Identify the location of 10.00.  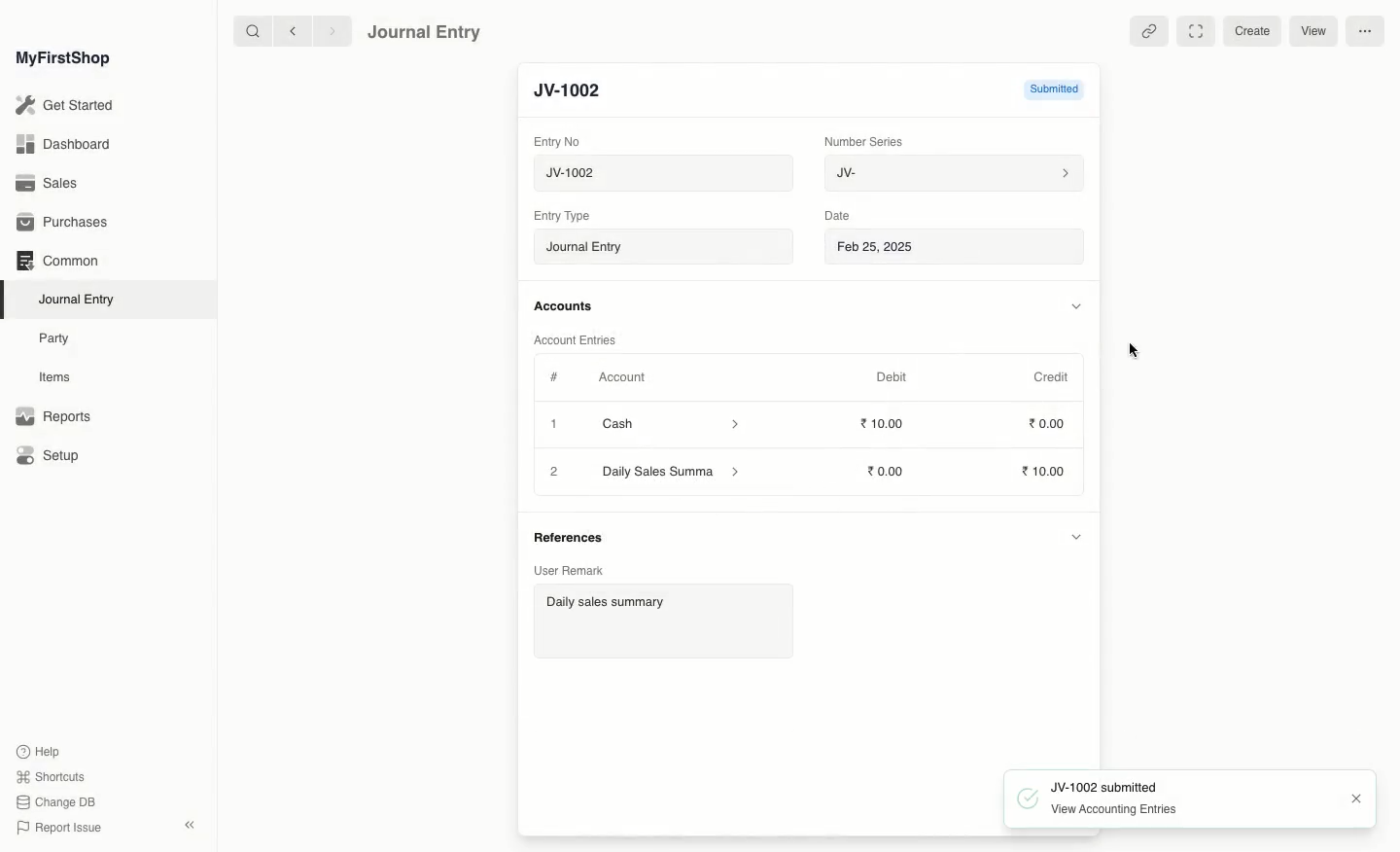
(888, 424).